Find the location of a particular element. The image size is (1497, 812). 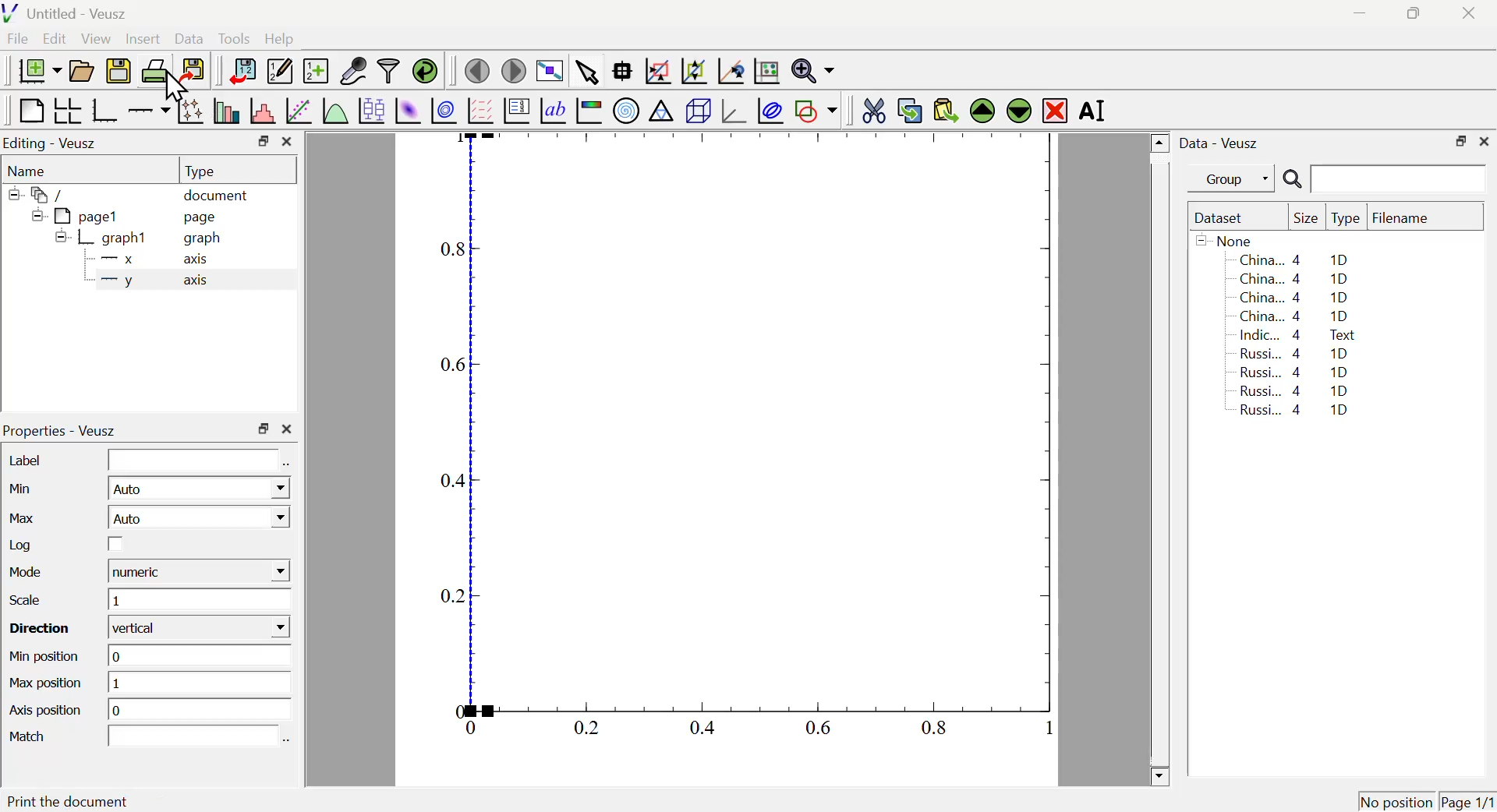

Input is located at coordinates (193, 461).